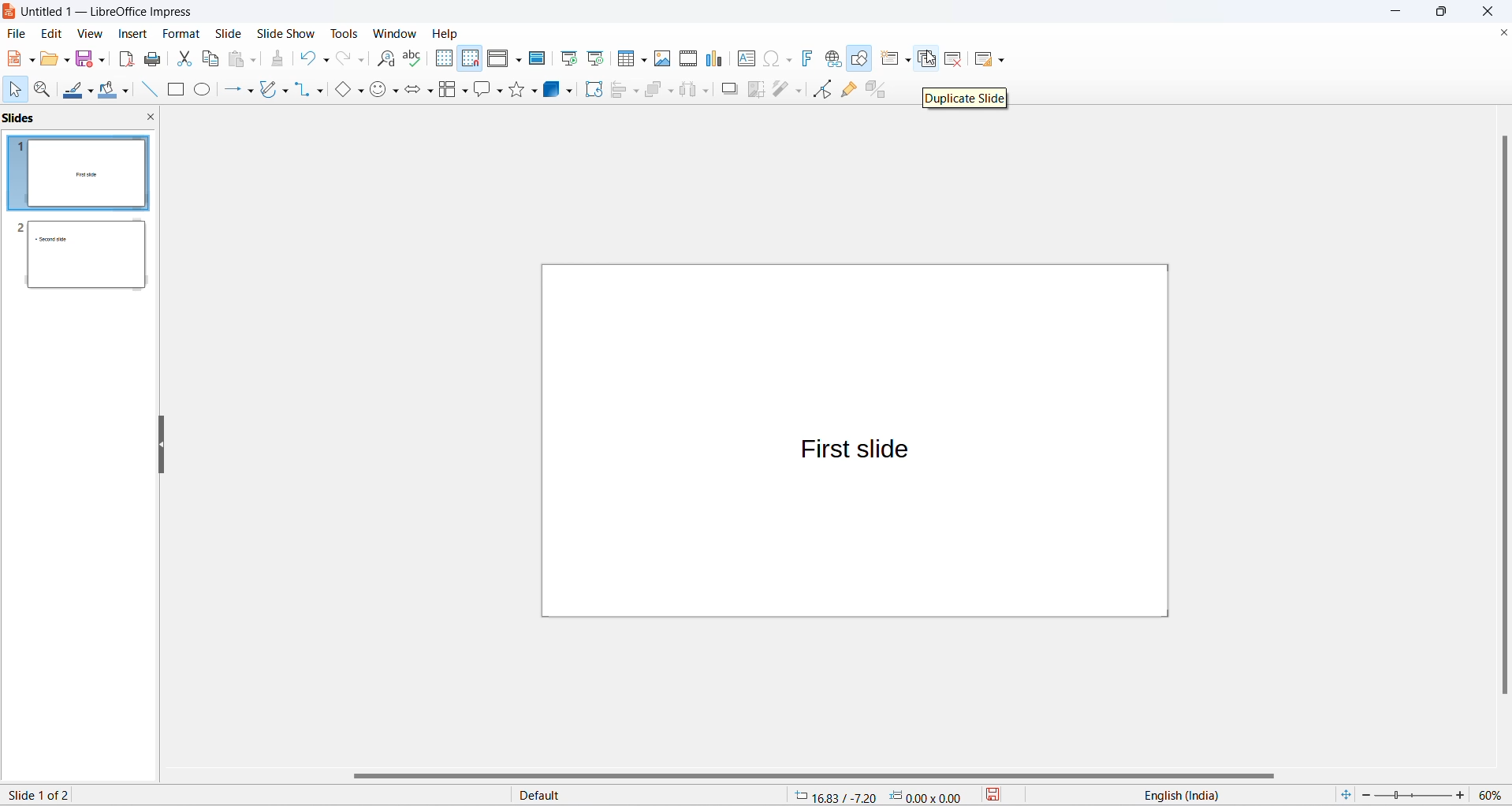 The height and width of the screenshot is (806, 1512). Describe the element at coordinates (616, 91) in the screenshot. I see `align object options` at that location.